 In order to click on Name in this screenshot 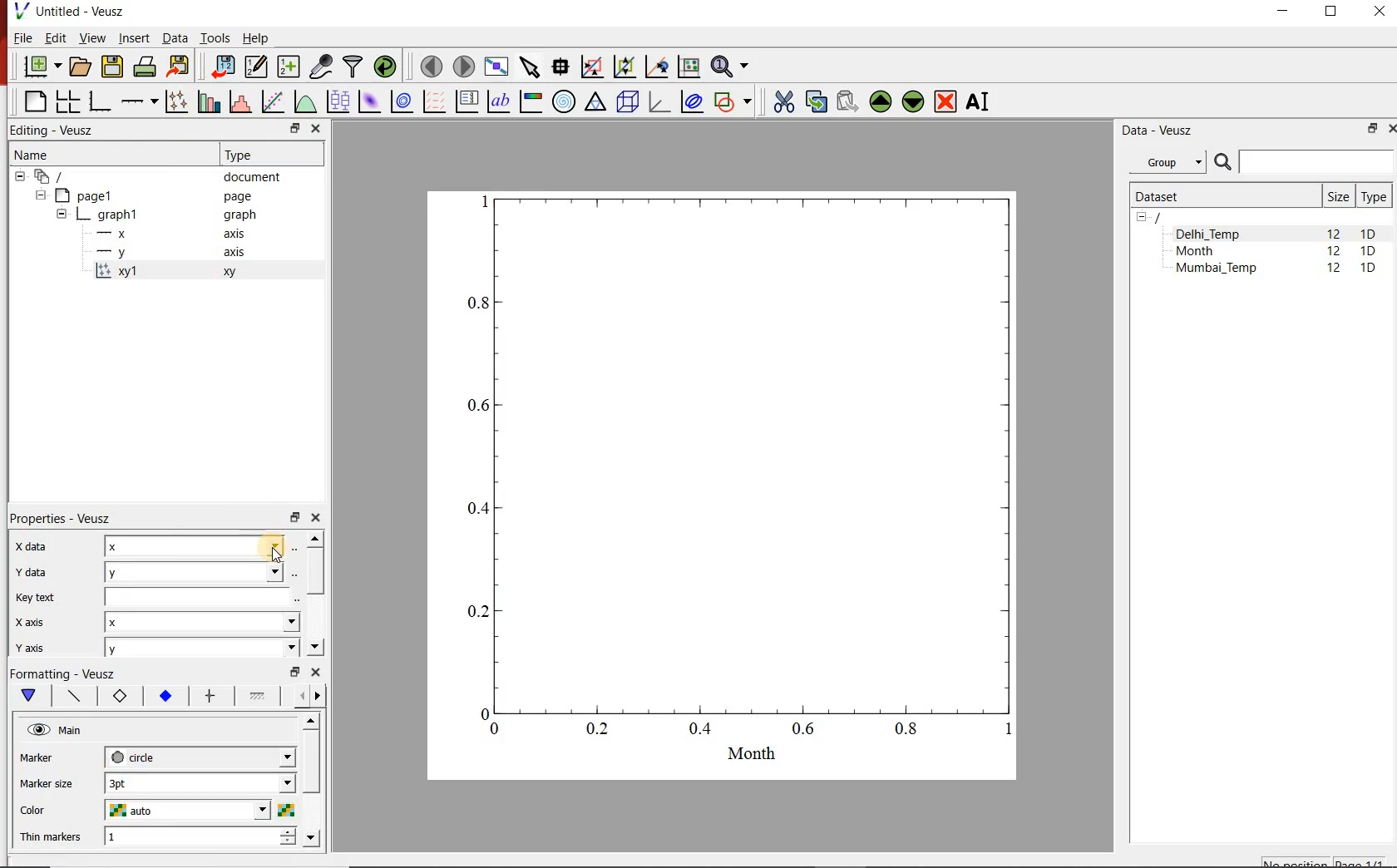, I will do `click(33, 154)`.